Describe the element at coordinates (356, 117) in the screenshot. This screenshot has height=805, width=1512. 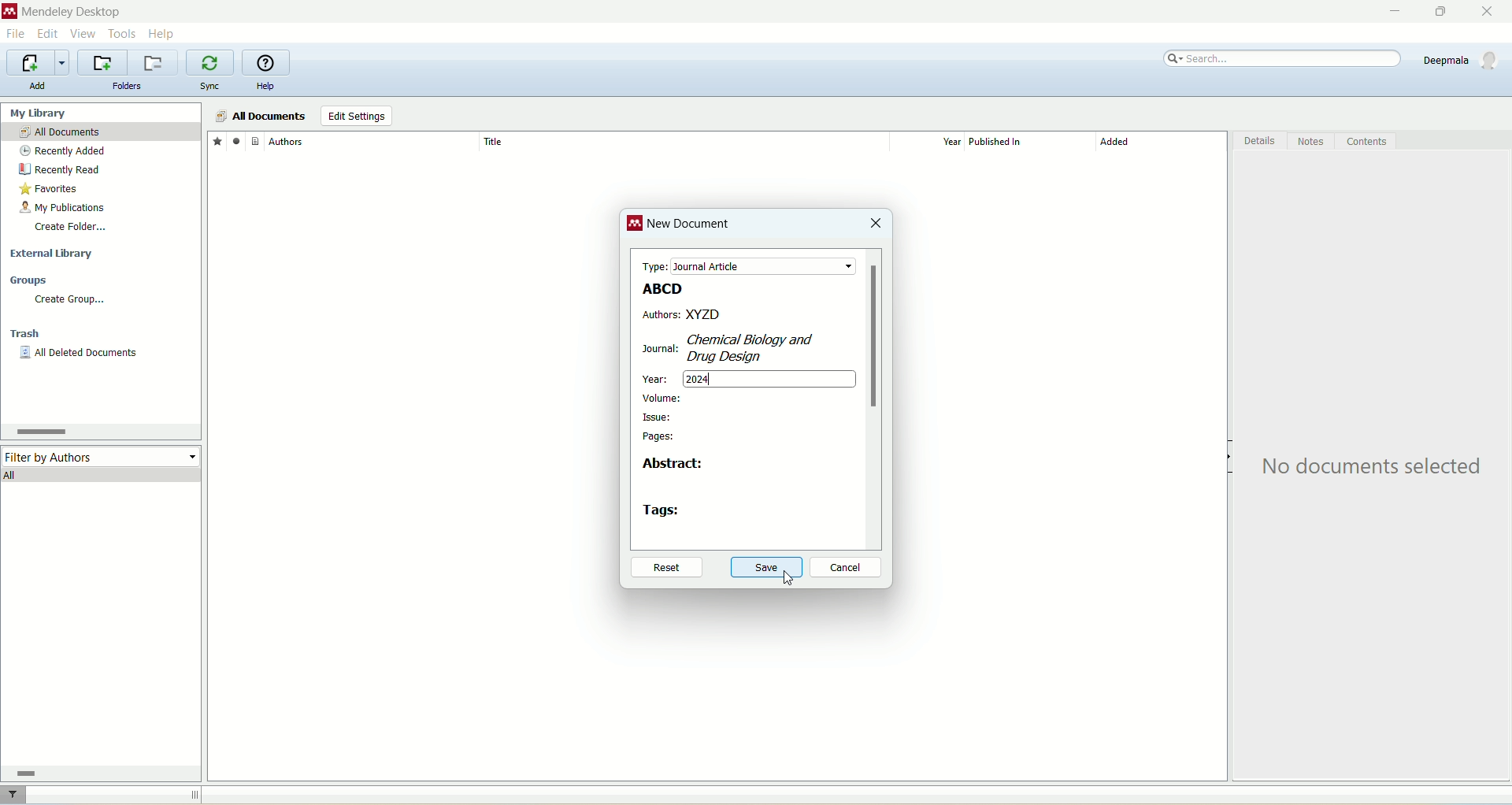
I see `edit settings` at that location.